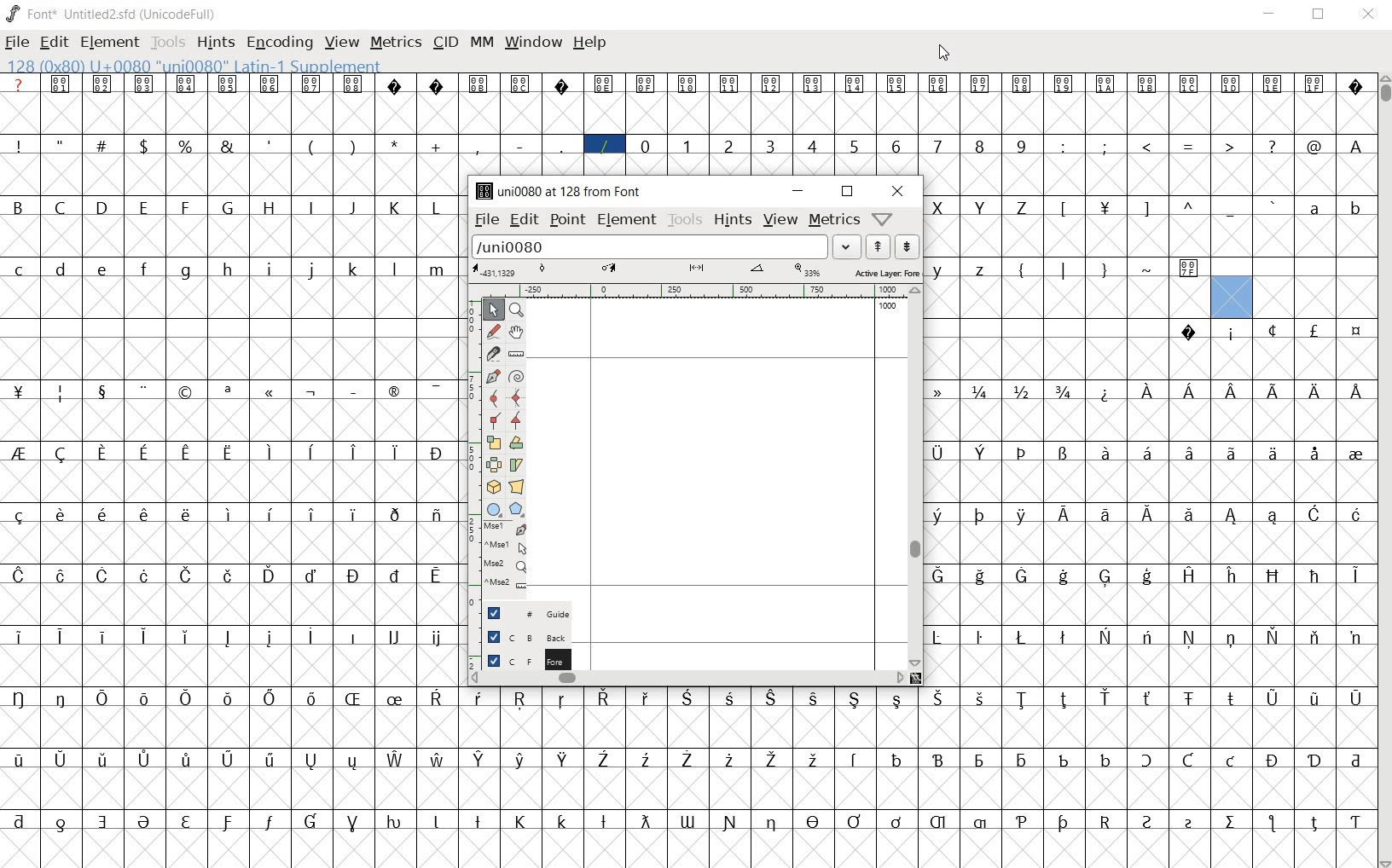  I want to click on scrollbar, so click(686, 680).